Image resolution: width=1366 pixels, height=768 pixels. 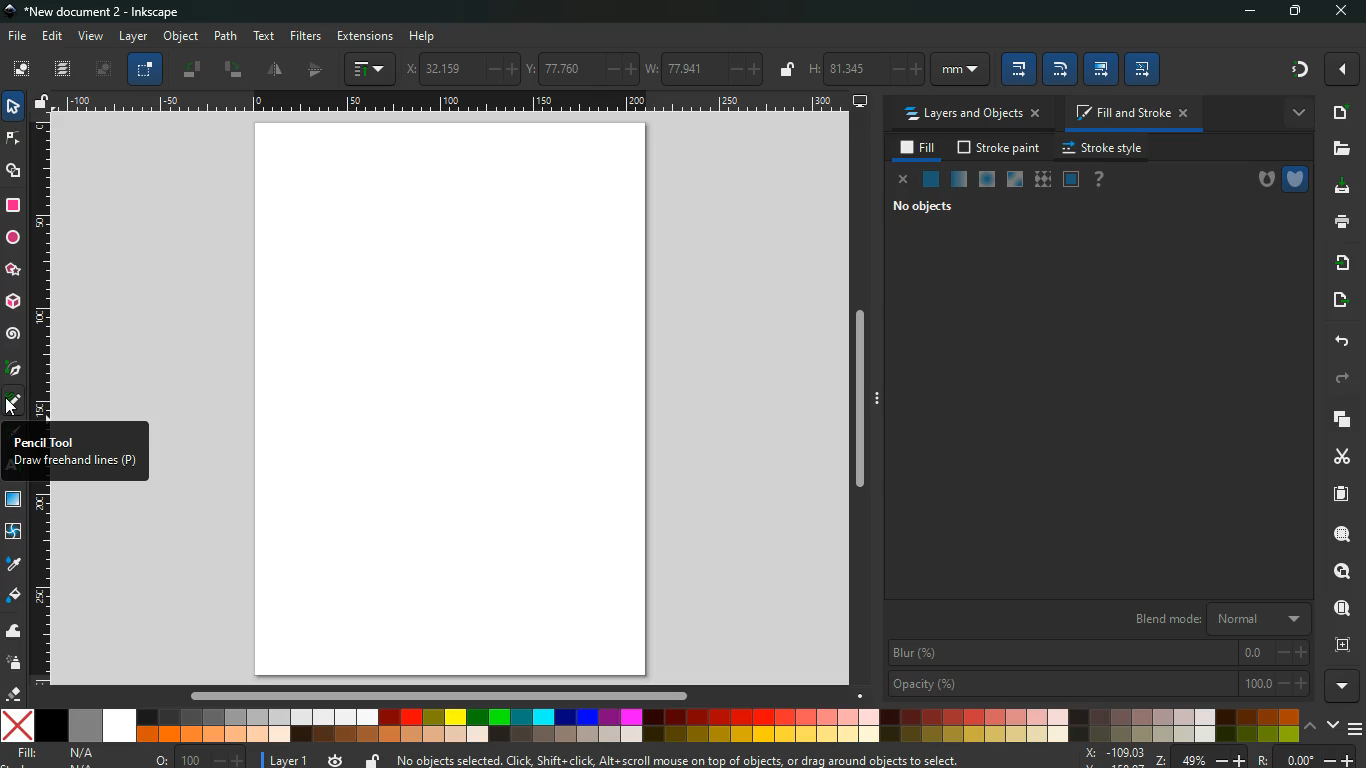 What do you see at coordinates (1042, 179) in the screenshot?
I see `texture` at bounding box center [1042, 179].